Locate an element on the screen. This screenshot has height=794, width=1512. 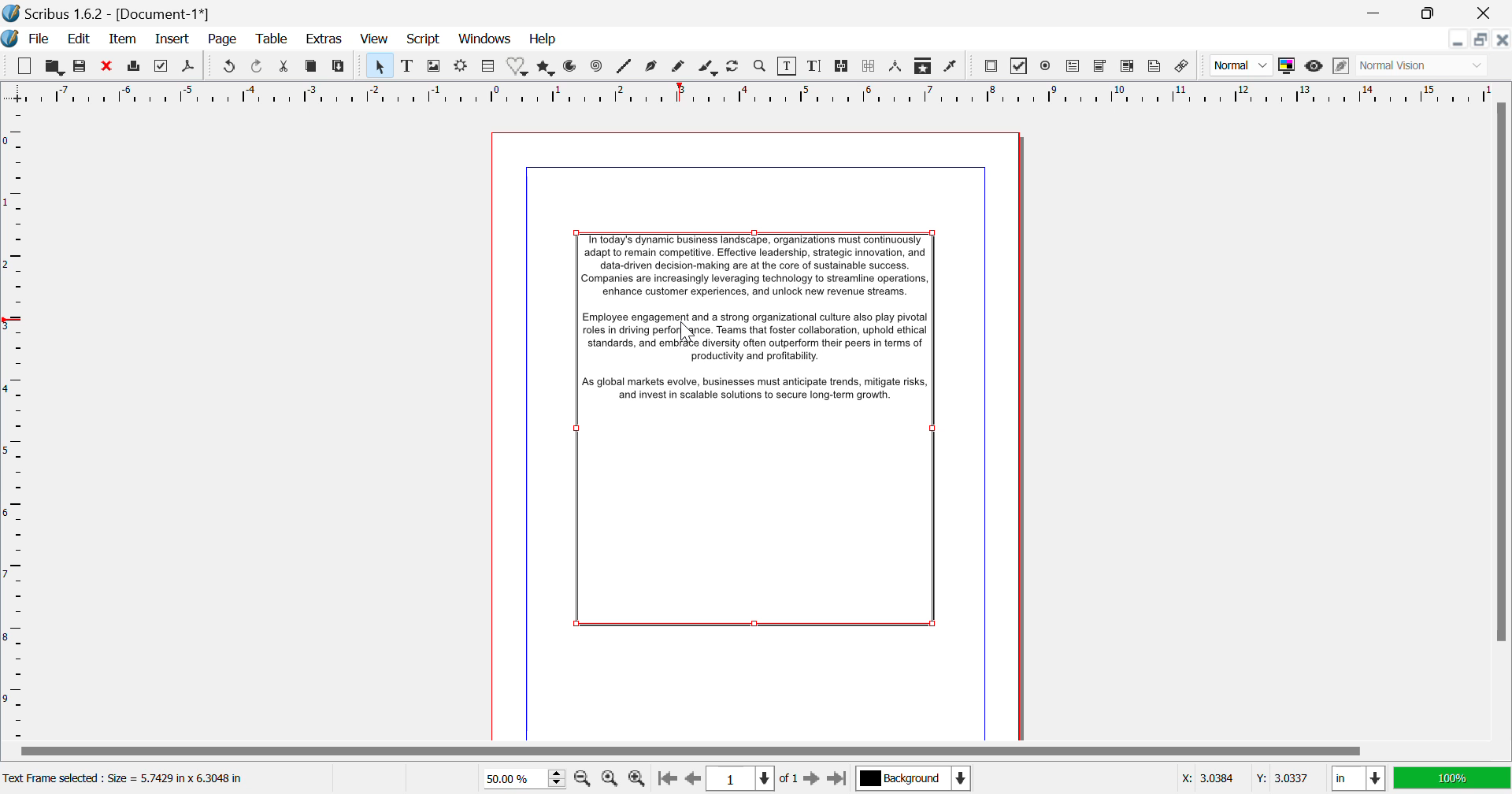
Image Frame is located at coordinates (435, 66).